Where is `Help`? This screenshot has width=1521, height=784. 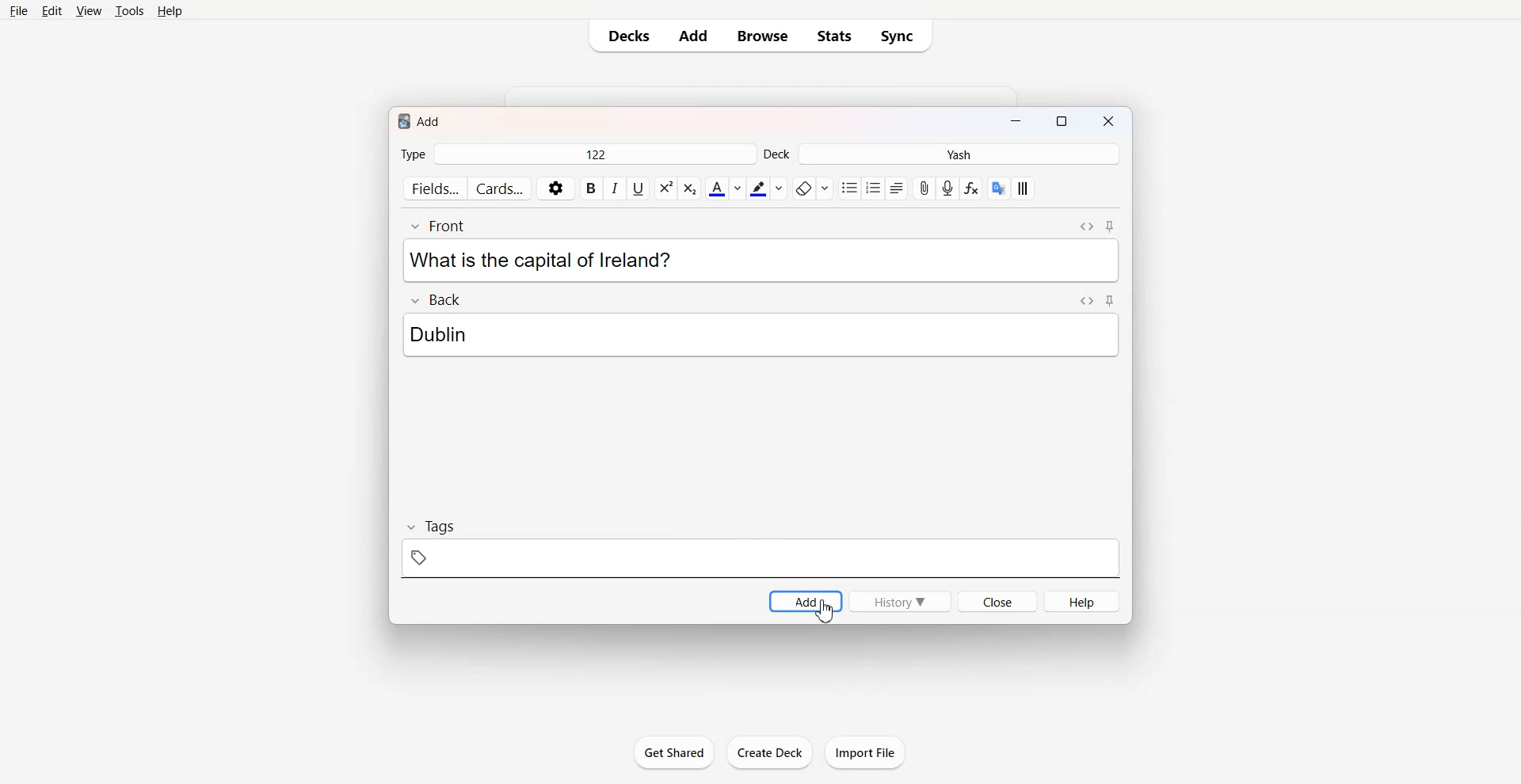
Help is located at coordinates (1082, 601).